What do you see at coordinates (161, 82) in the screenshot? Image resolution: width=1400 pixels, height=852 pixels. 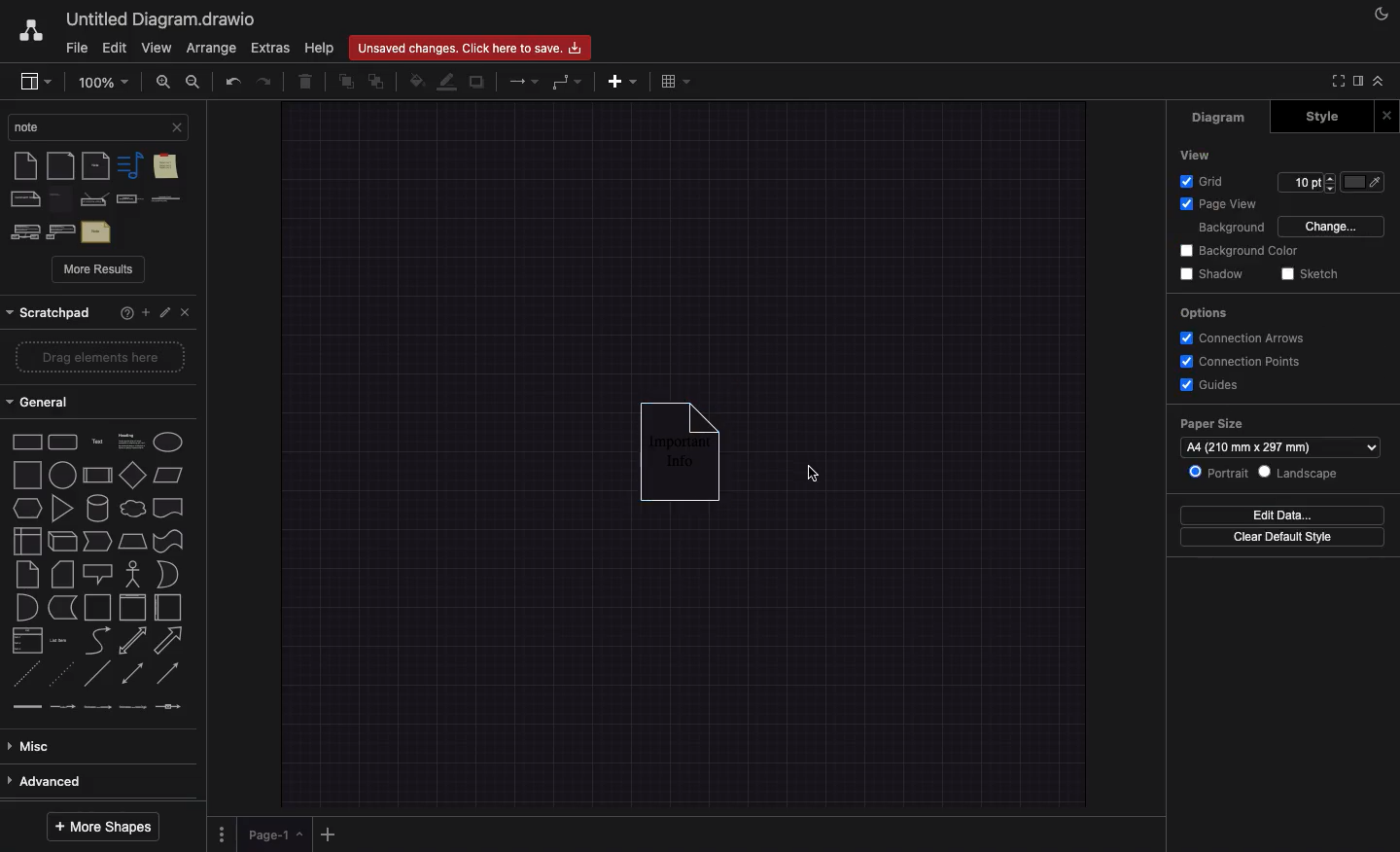 I see `Zoom in` at bounding box center [161, 82].